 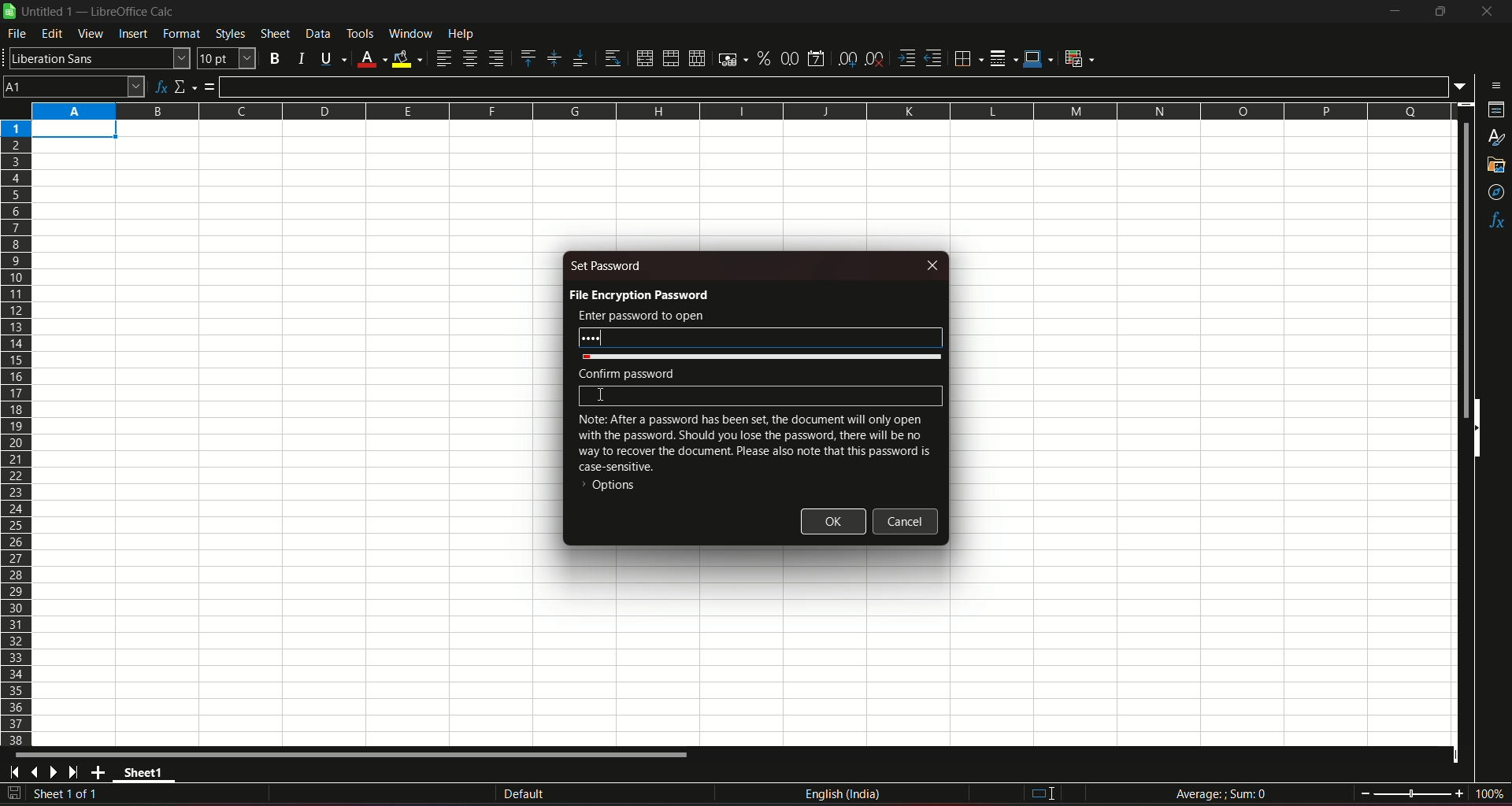 What do you see at coordinates (98, 59) in the screenshot?
I see `font styles` at bounding box center [98, 59].